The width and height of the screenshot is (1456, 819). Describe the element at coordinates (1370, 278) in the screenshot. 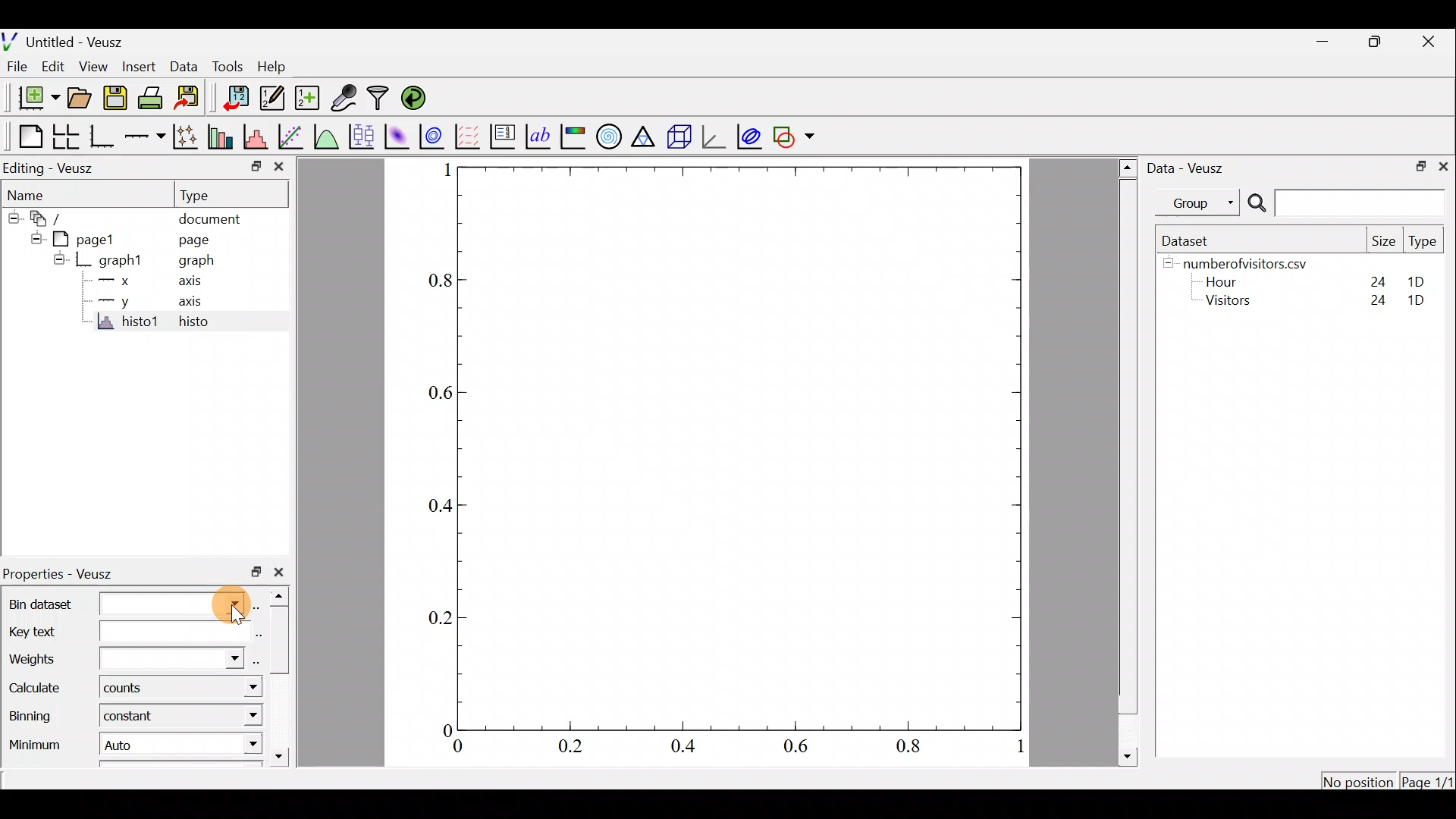

I see `24` at that location.